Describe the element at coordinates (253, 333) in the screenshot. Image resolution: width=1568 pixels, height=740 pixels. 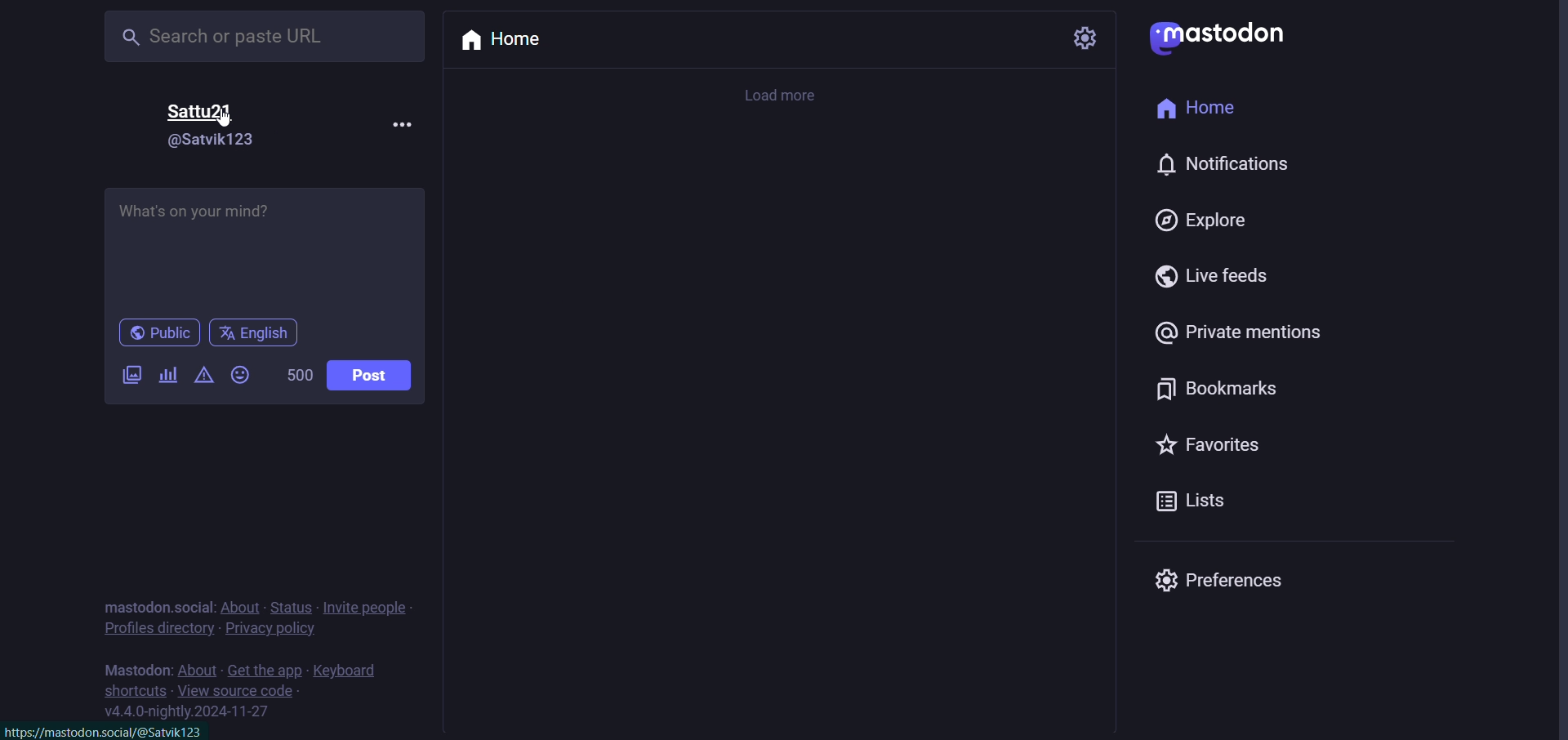
I see `english` at that location.